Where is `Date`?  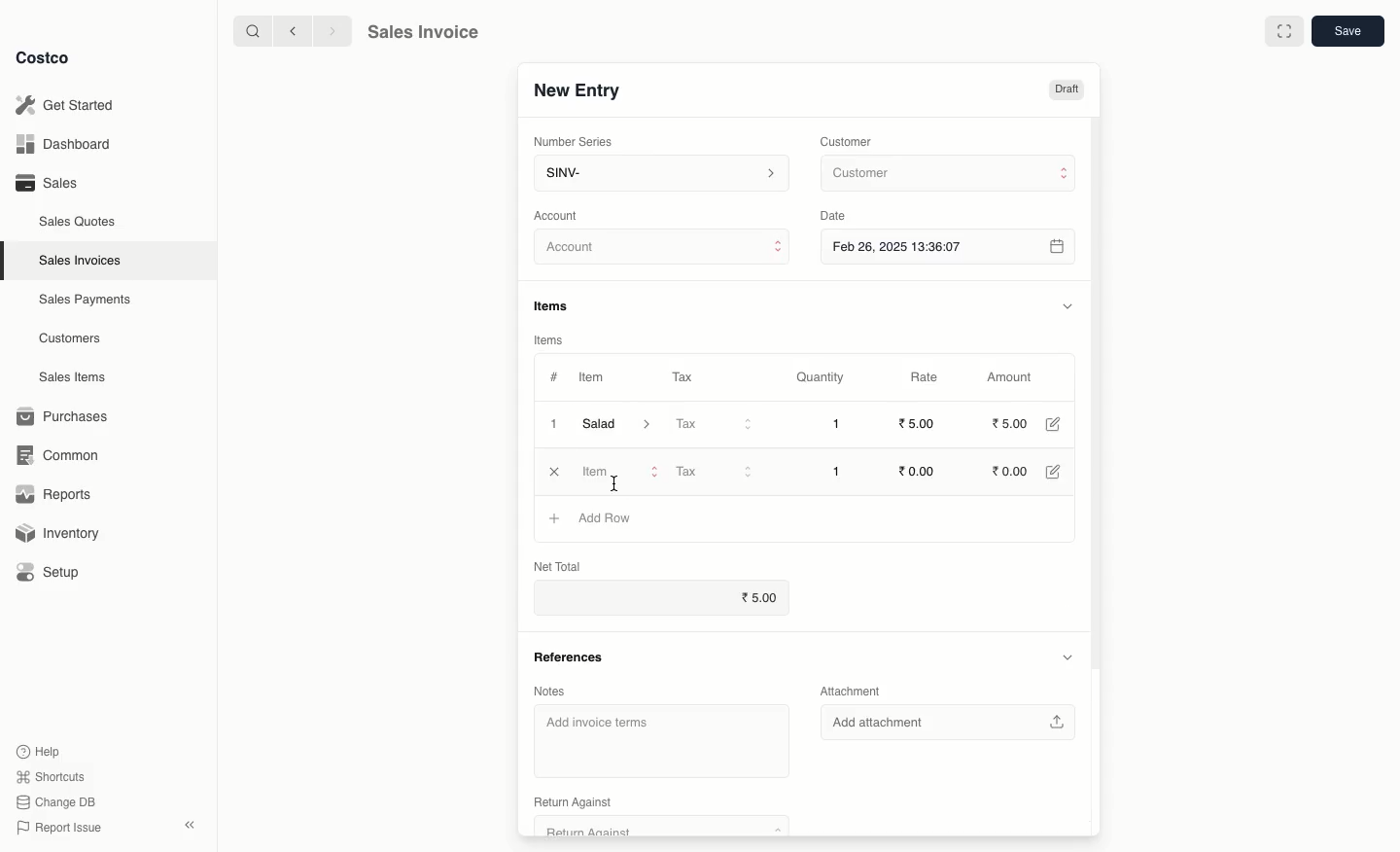
Date is located at coordinates (838, 216).